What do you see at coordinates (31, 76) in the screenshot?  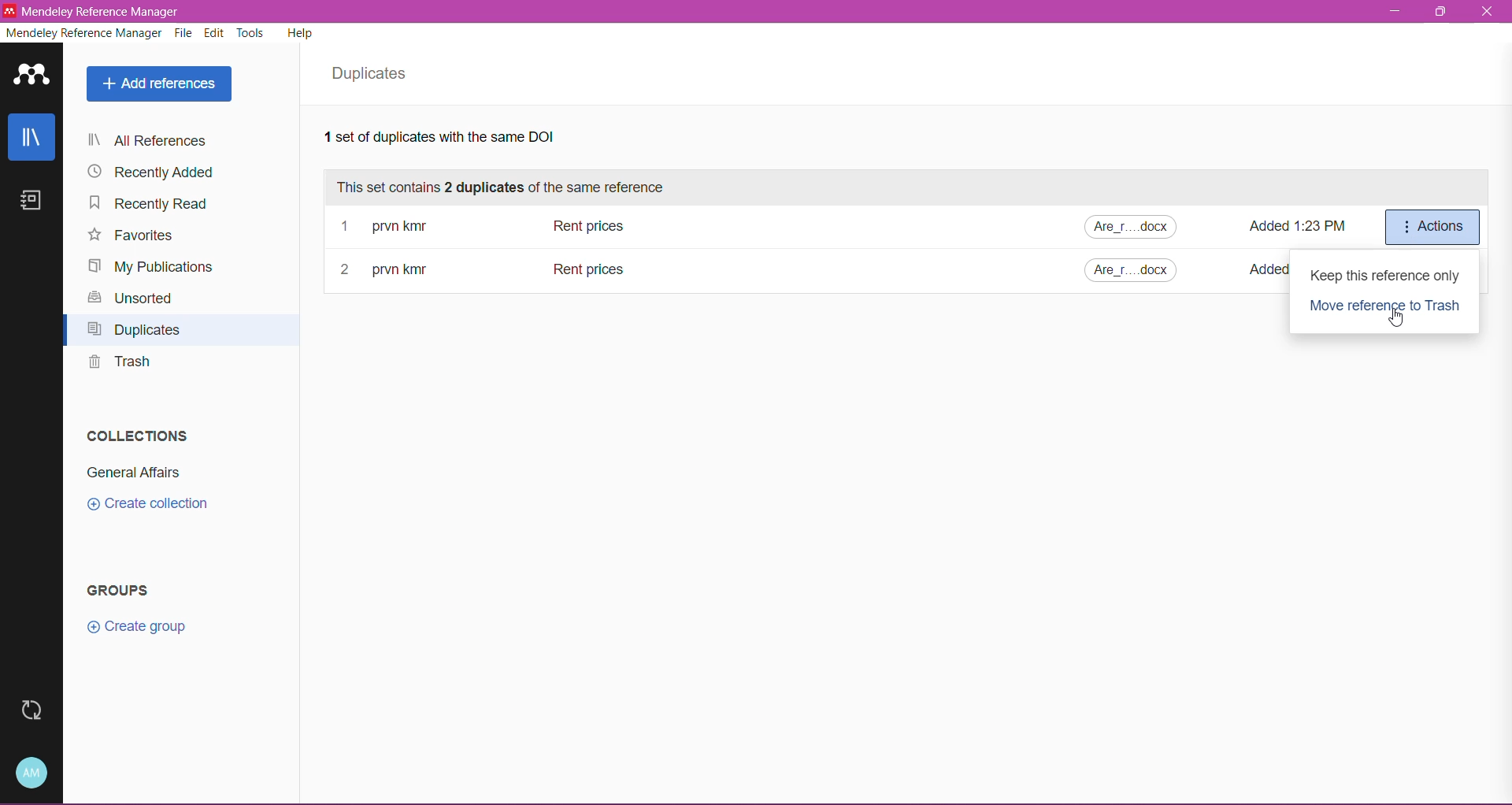 I see `Application Logo` at bounding box center [31, 76].